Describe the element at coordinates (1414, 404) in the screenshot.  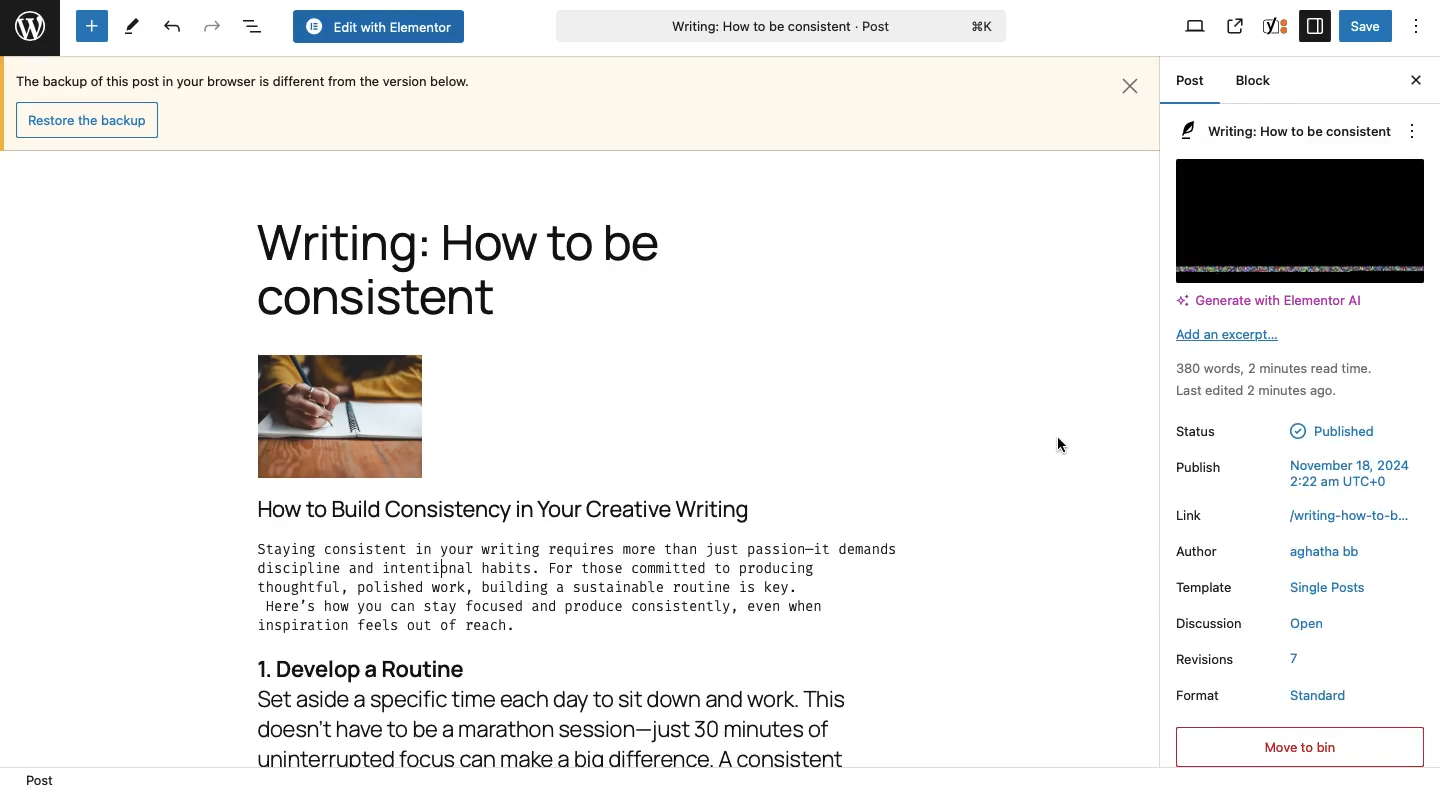
I see `More` at that location.